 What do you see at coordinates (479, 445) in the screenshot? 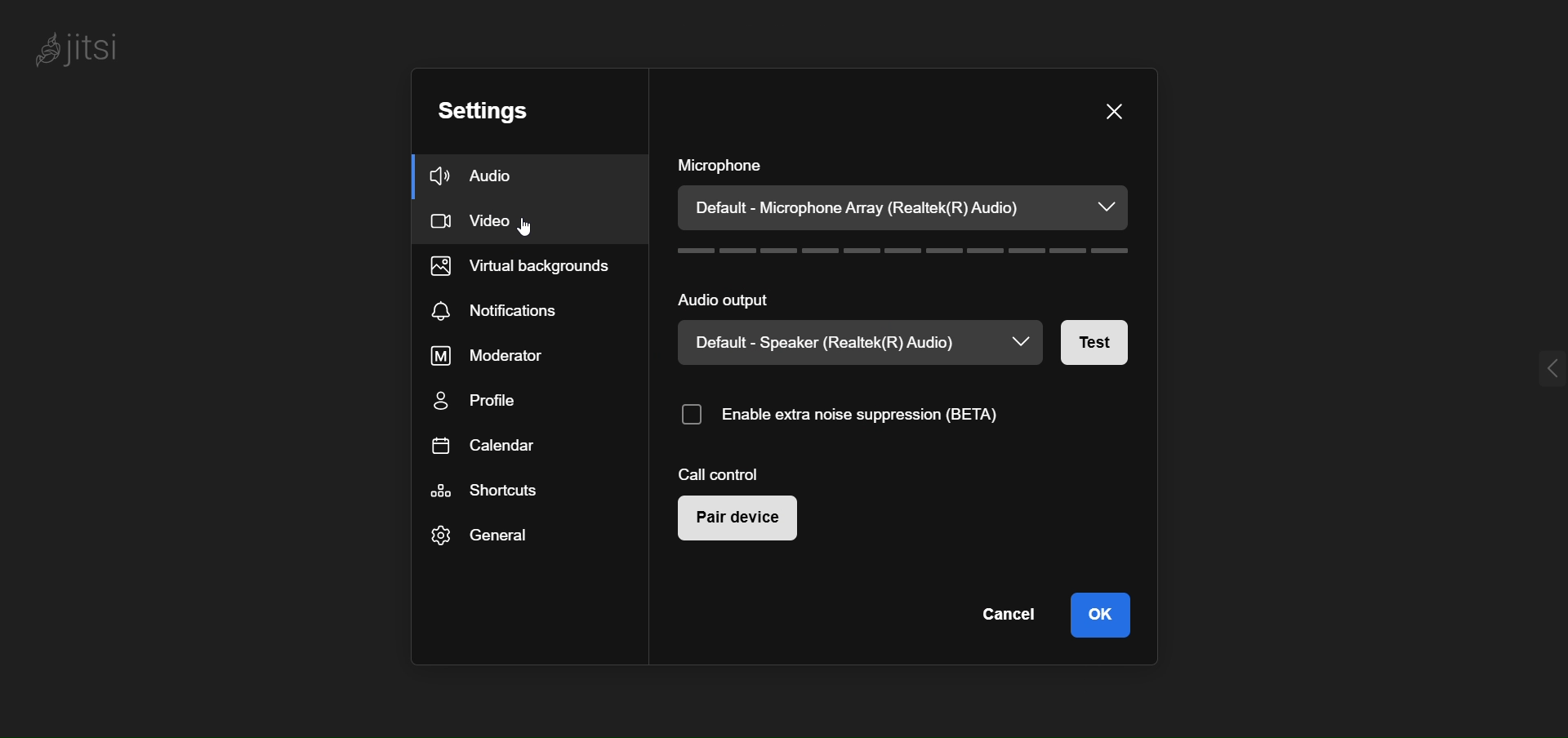
I see `calendar` at bounding box center [479, 445].